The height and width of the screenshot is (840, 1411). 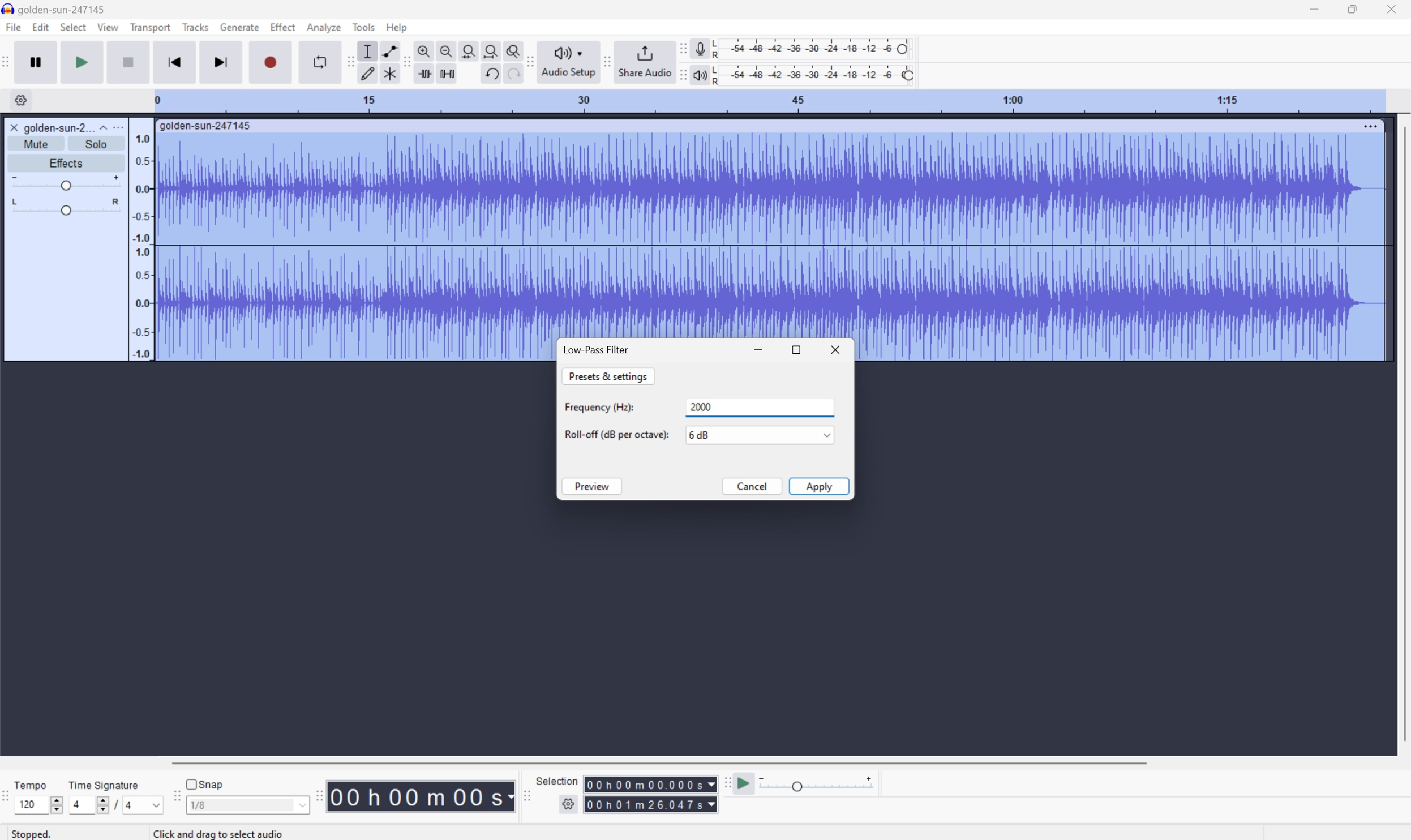 I want to click on Analyze, so click(x=324, y=27).